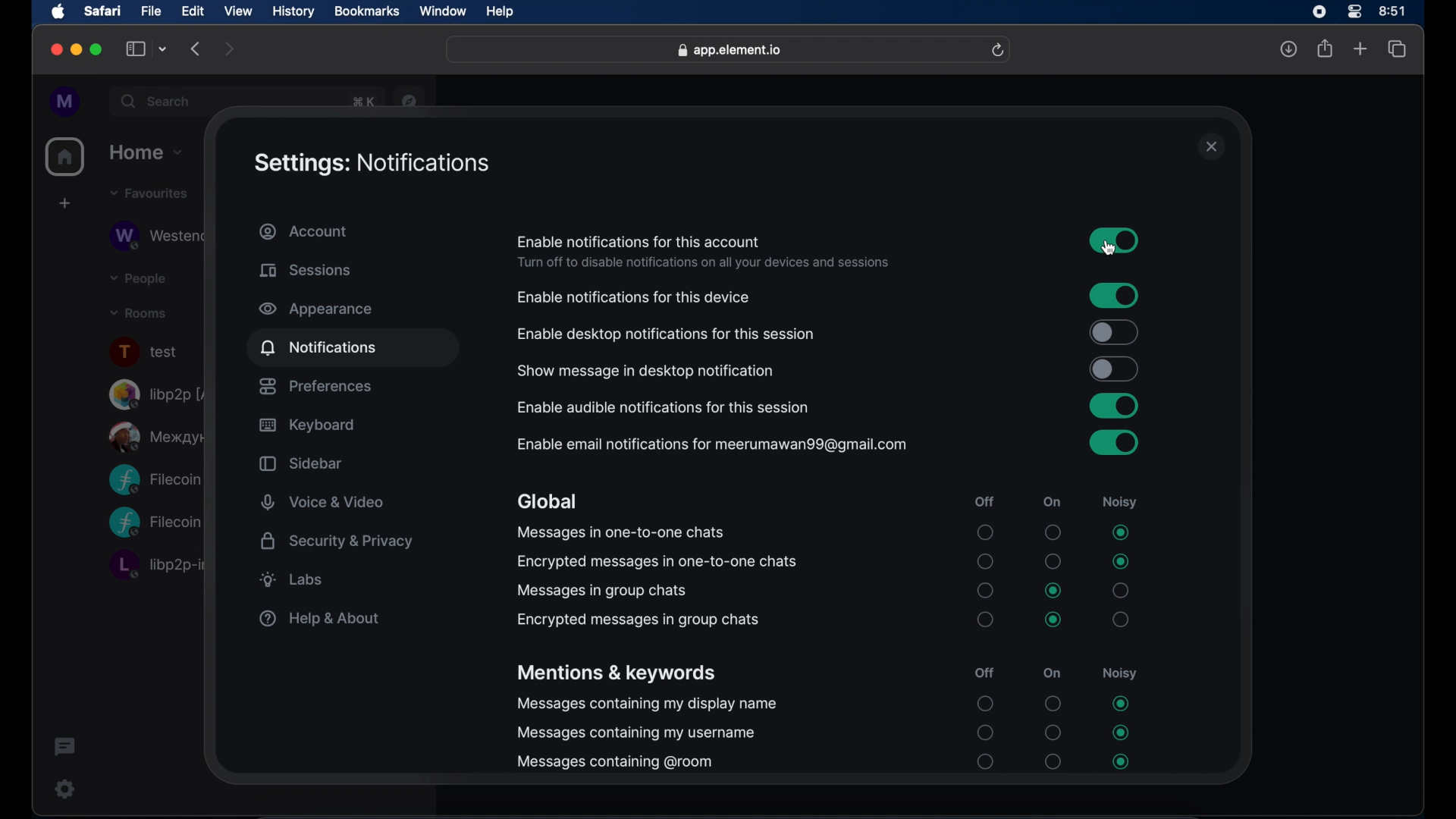  Describe the element at coordinates (147, 194) in the screenshot. I see `favorites drop down` at that location.